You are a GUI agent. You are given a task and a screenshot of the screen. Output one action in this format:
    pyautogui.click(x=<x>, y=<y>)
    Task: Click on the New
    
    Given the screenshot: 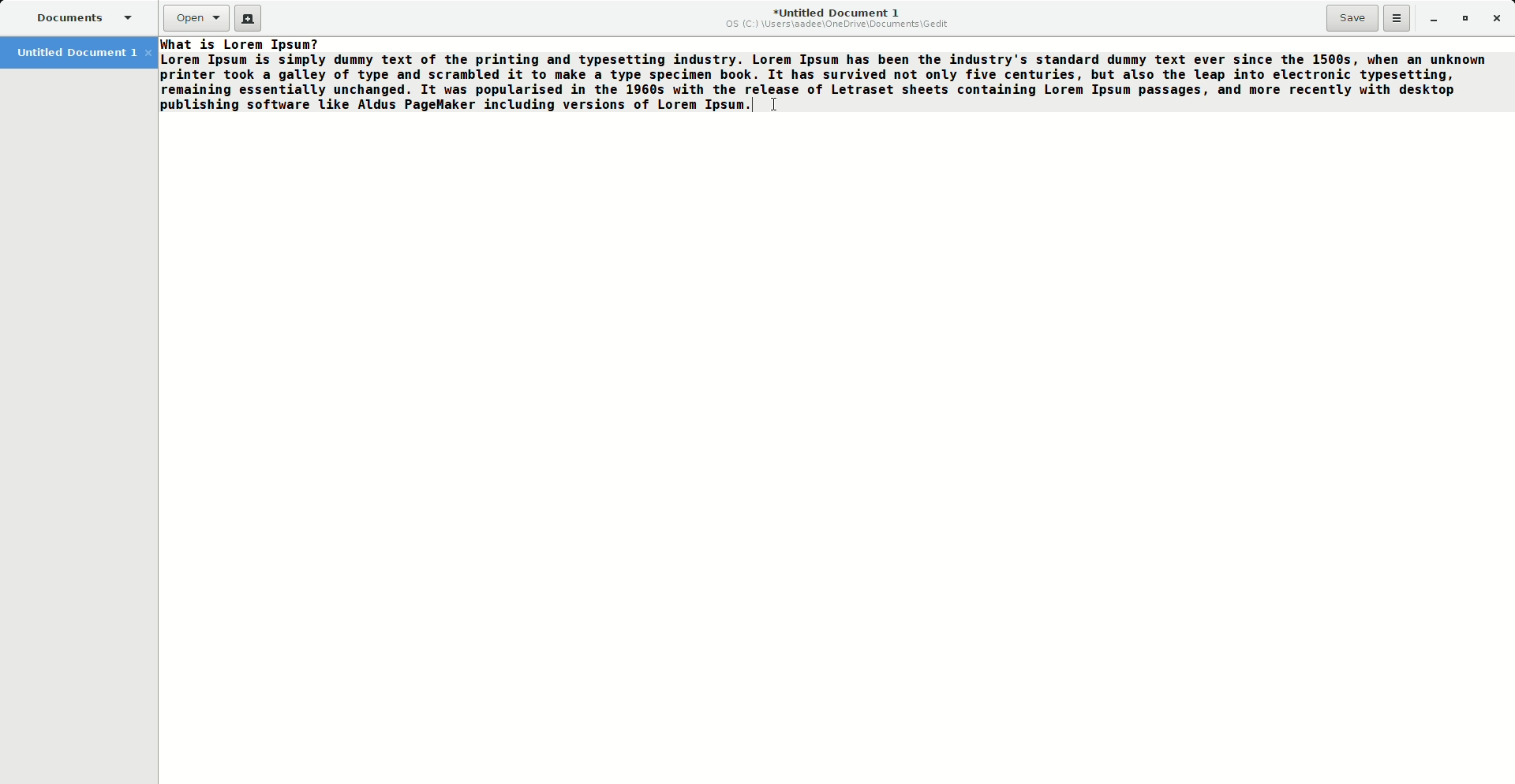 What is the action you would take?
    pyautogui.click(x=250, y=21)
    